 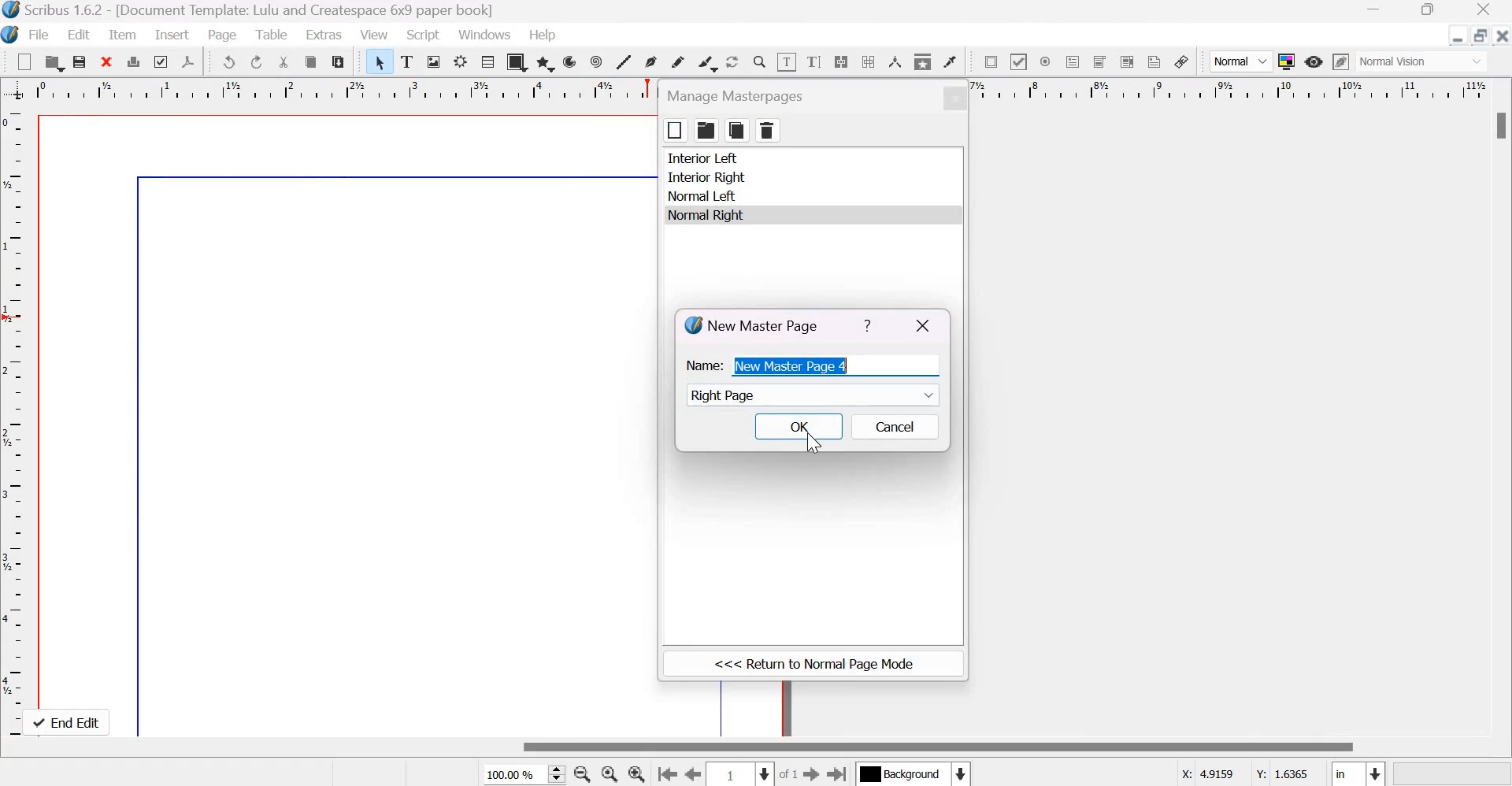 What do you see at coordinates (813, 395) in the screenshot?
I see `Right page` at bounding box center [813, 395].